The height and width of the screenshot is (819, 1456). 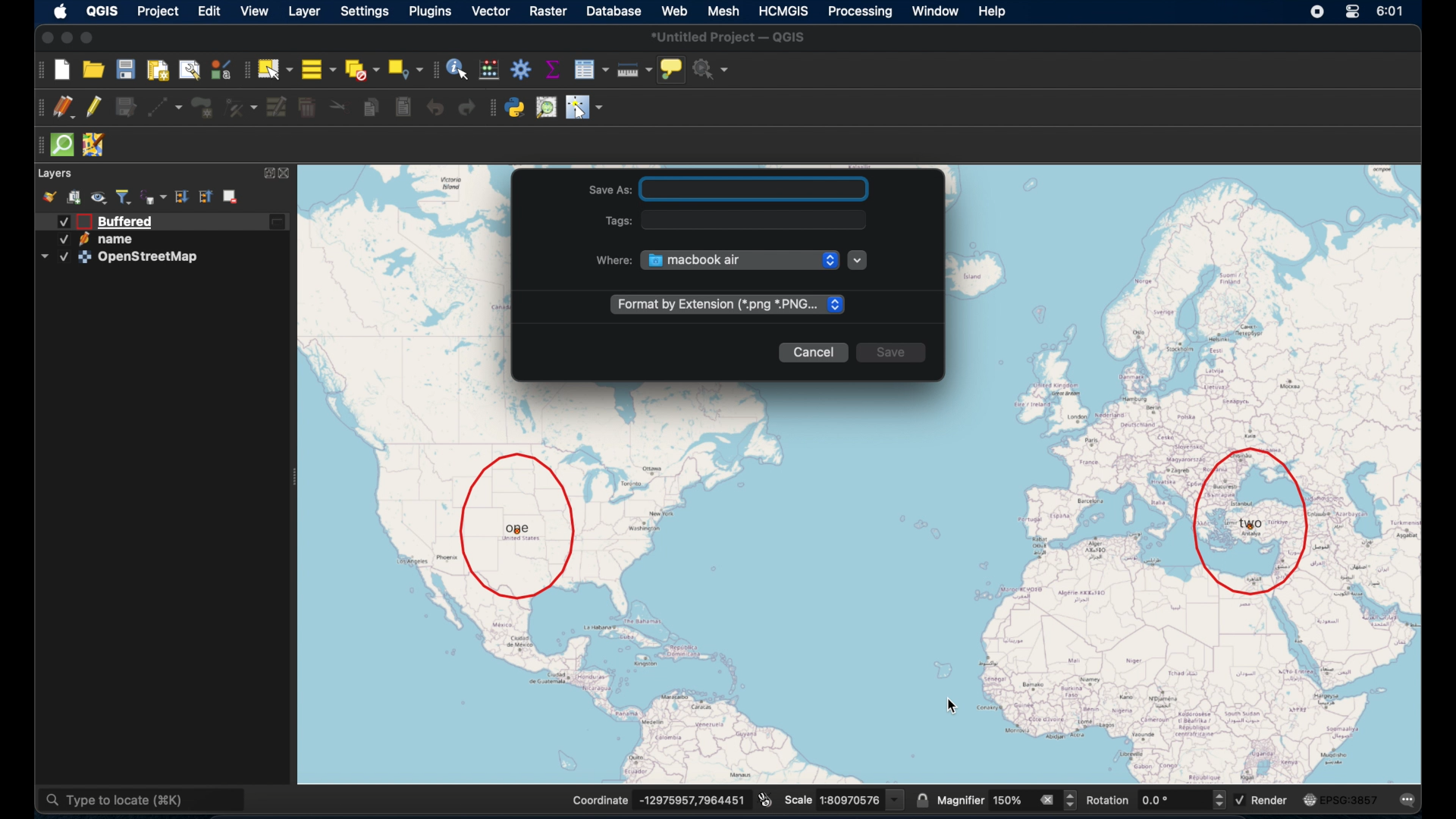 What do you see at coordinates (1009, 799) in the screenshot?
I see `magnifier value` at bounding box center [1009, 799].